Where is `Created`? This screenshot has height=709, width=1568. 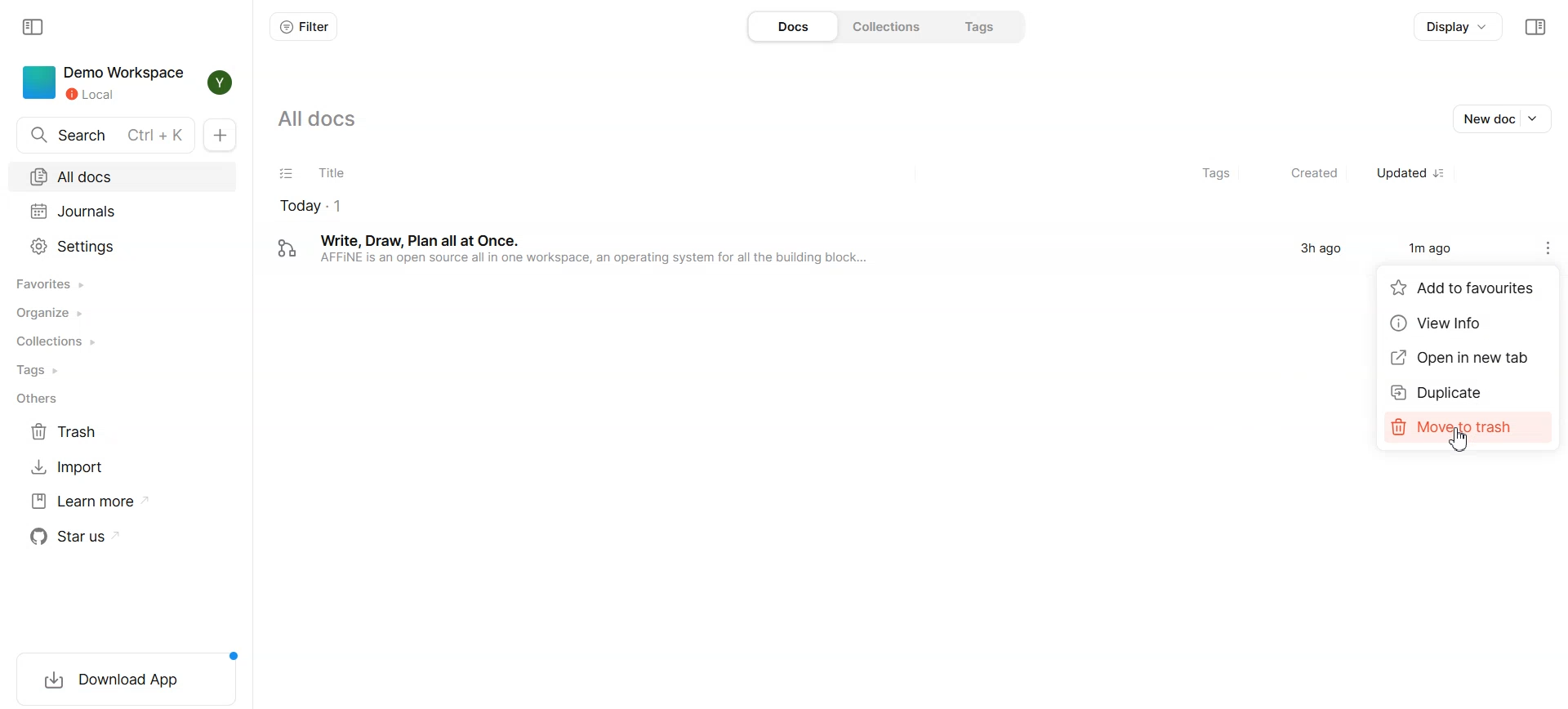 Created is located at coordinates (1305, 175).